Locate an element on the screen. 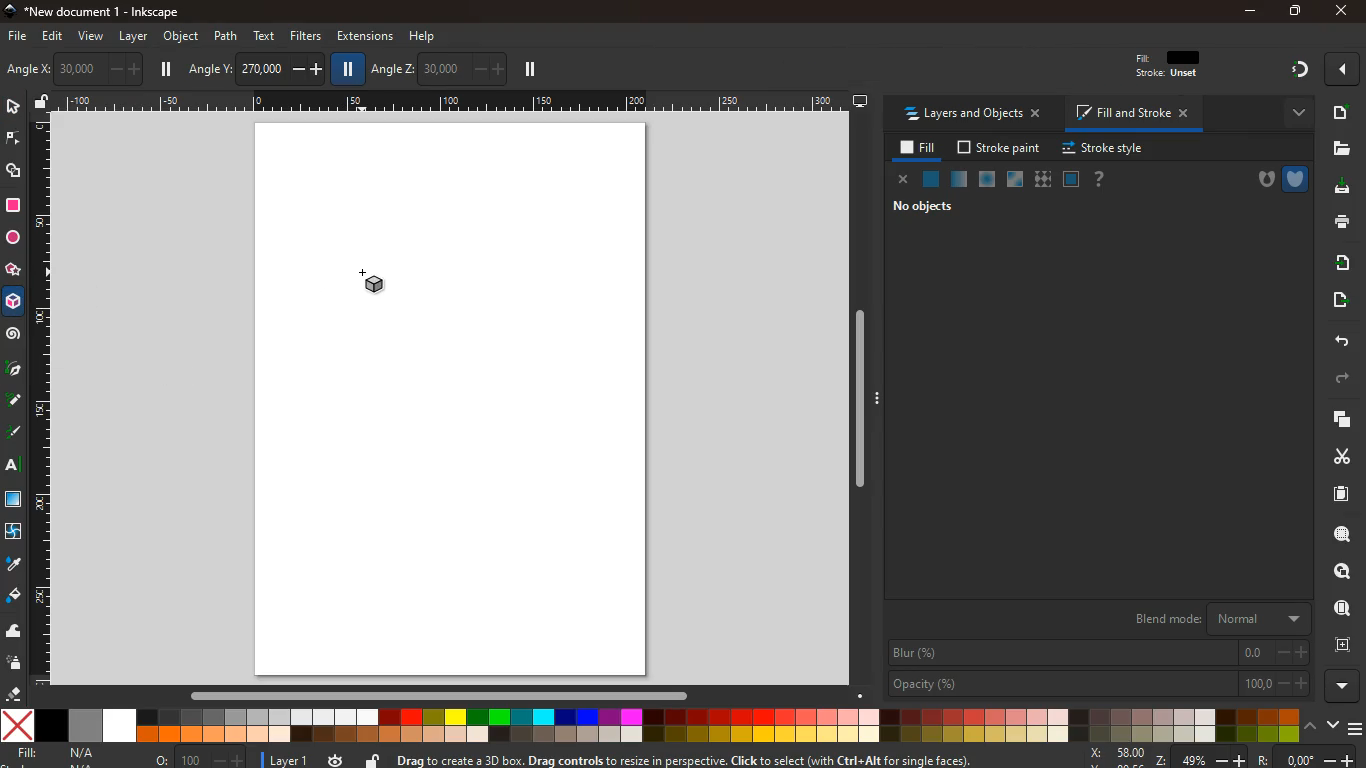 This screenshot has height=768, width=1366. message is located at coordinates (705, 759).